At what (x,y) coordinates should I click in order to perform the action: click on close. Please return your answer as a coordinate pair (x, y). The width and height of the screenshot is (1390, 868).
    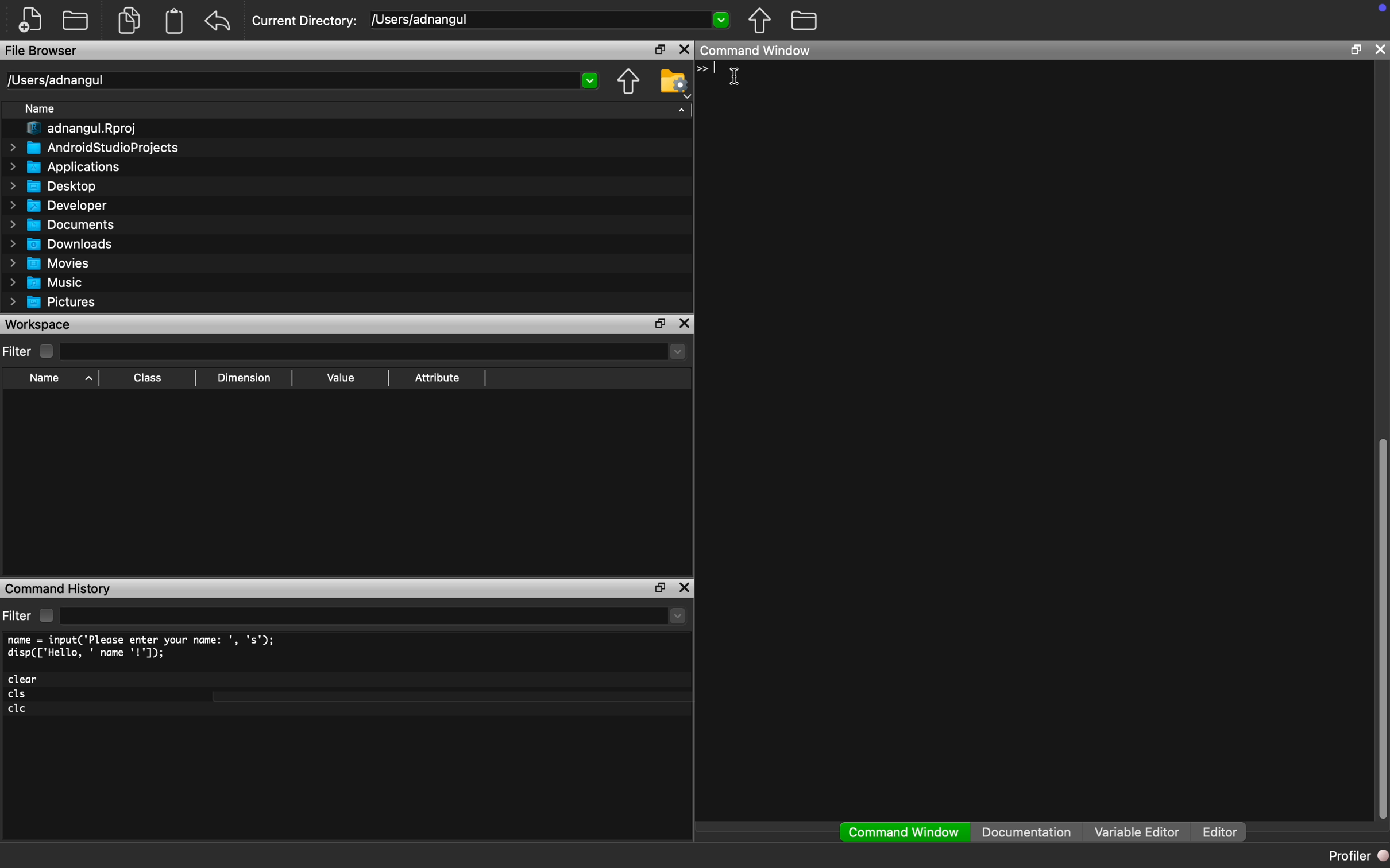
    Looking at the image, I should click on (1380, 49).